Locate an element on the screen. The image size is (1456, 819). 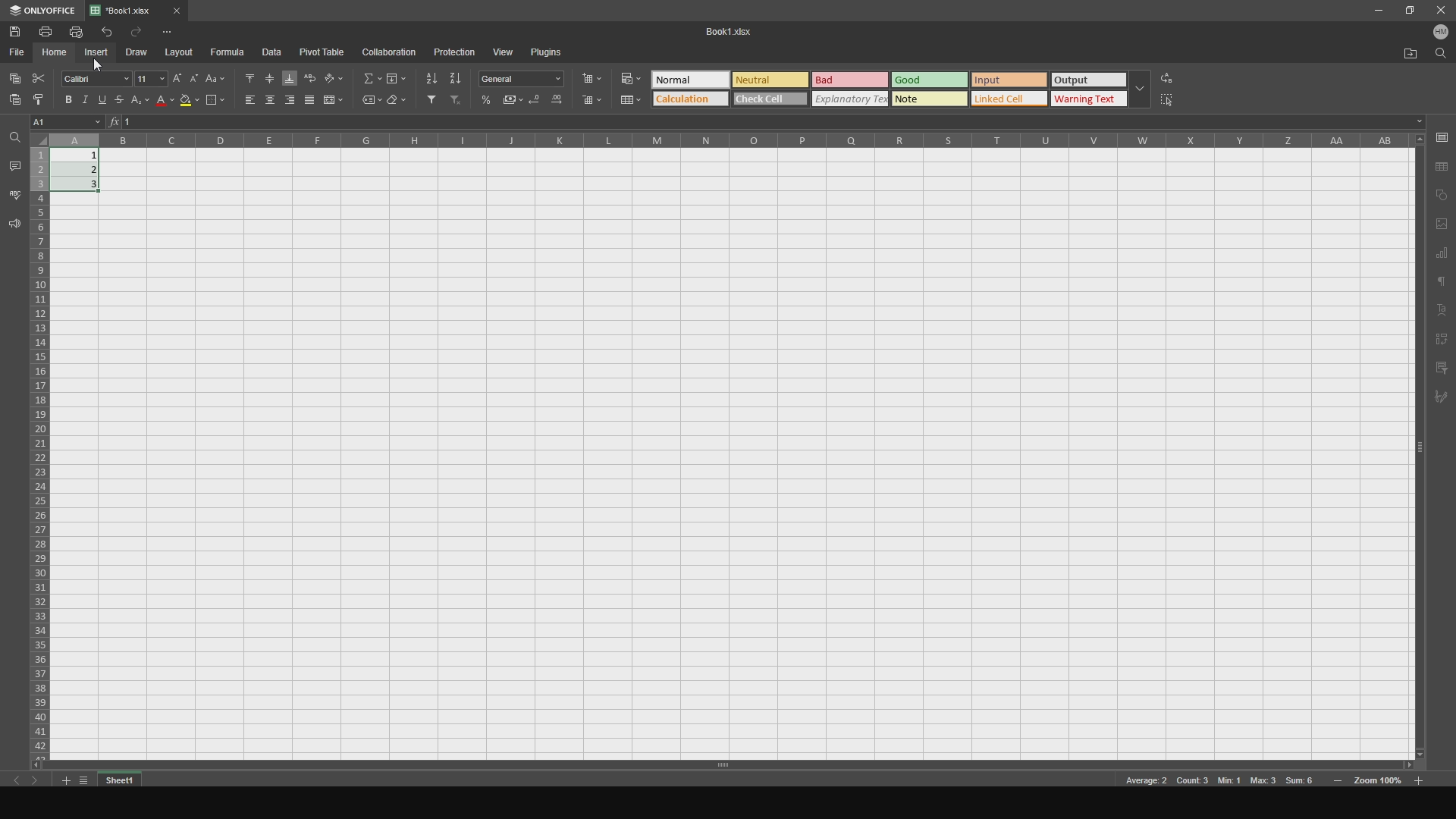
select all is located at coordinates (1176, 102).